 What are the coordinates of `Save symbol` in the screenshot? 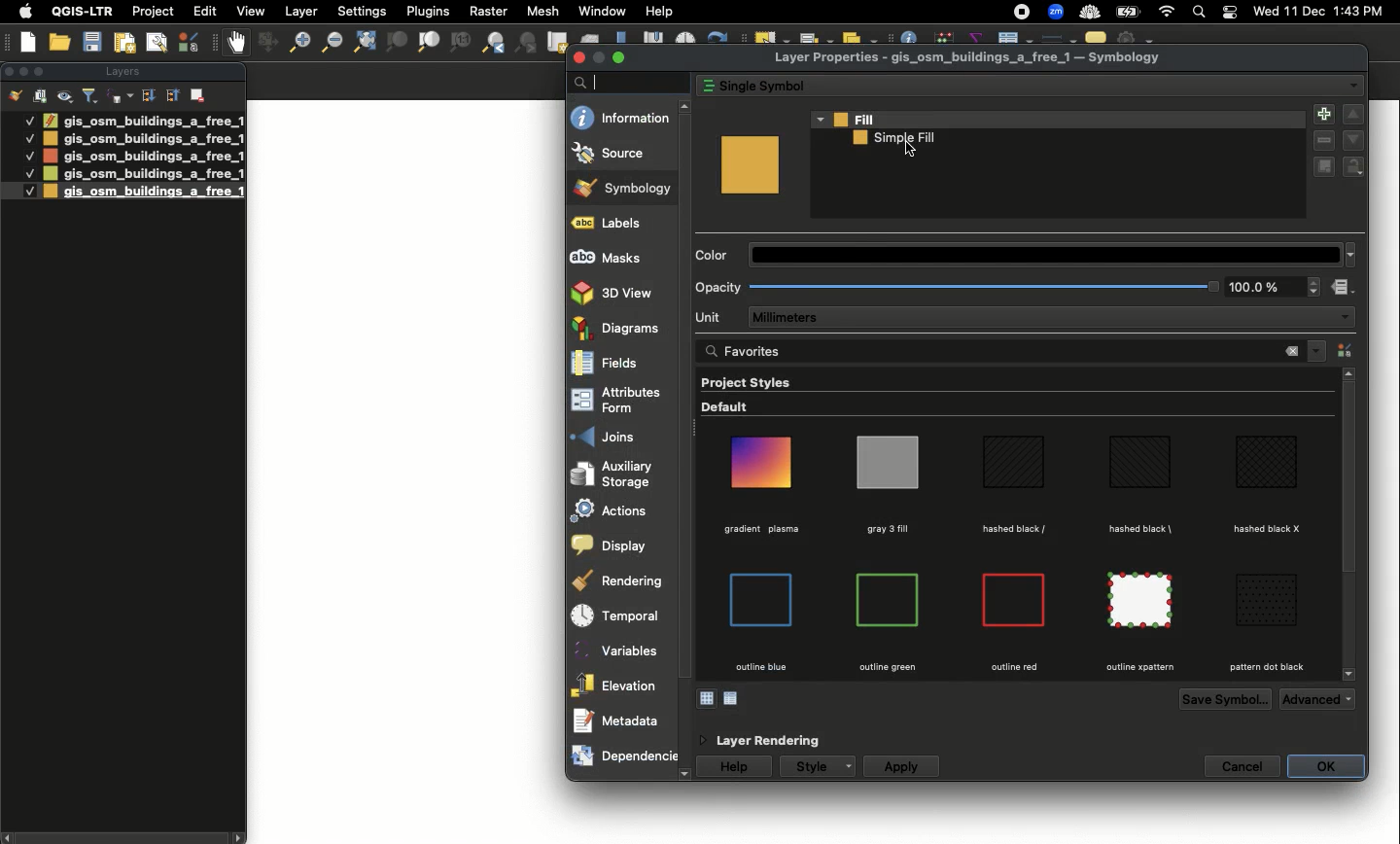 It's located at (1228, 699).